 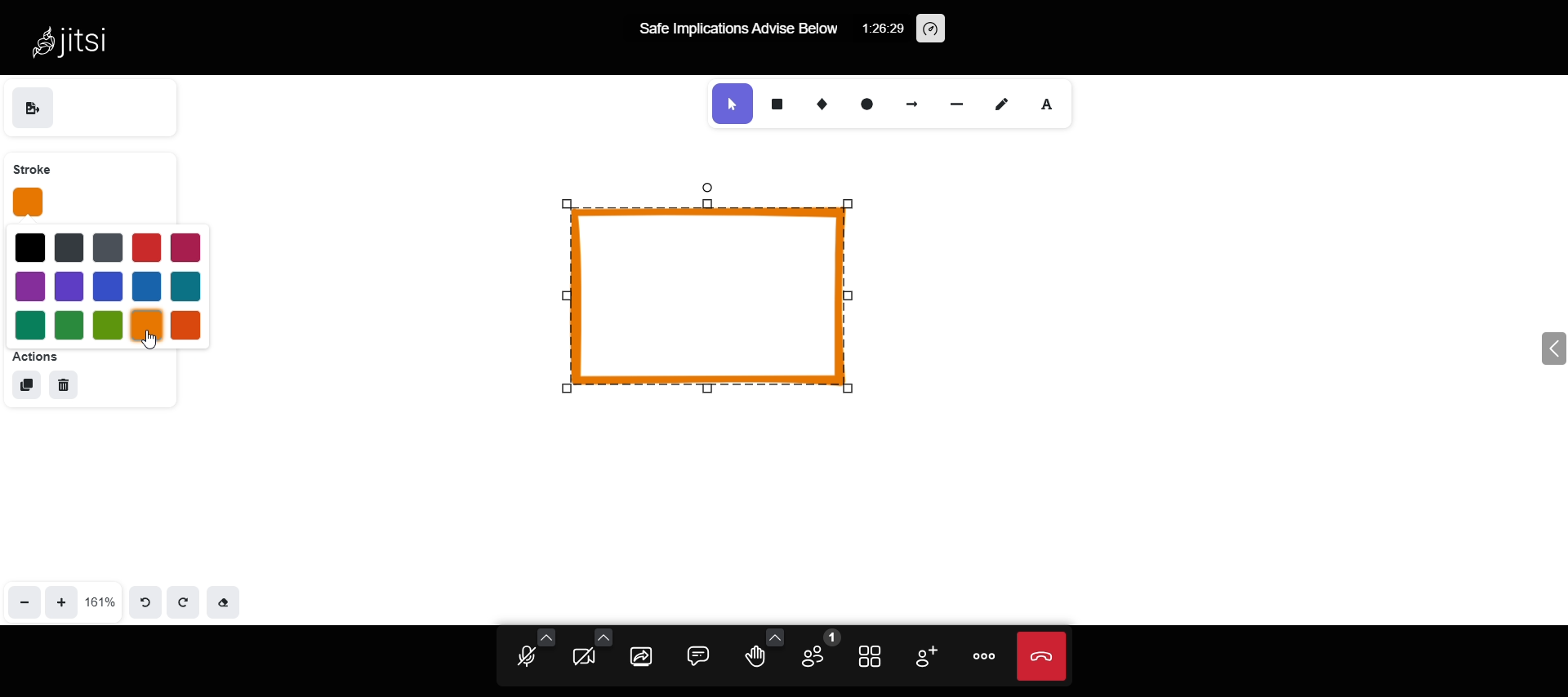 What do you see at coordinates (863, 101) in the screenshot?
I see `ellipse` at bounding box center [863, 101].